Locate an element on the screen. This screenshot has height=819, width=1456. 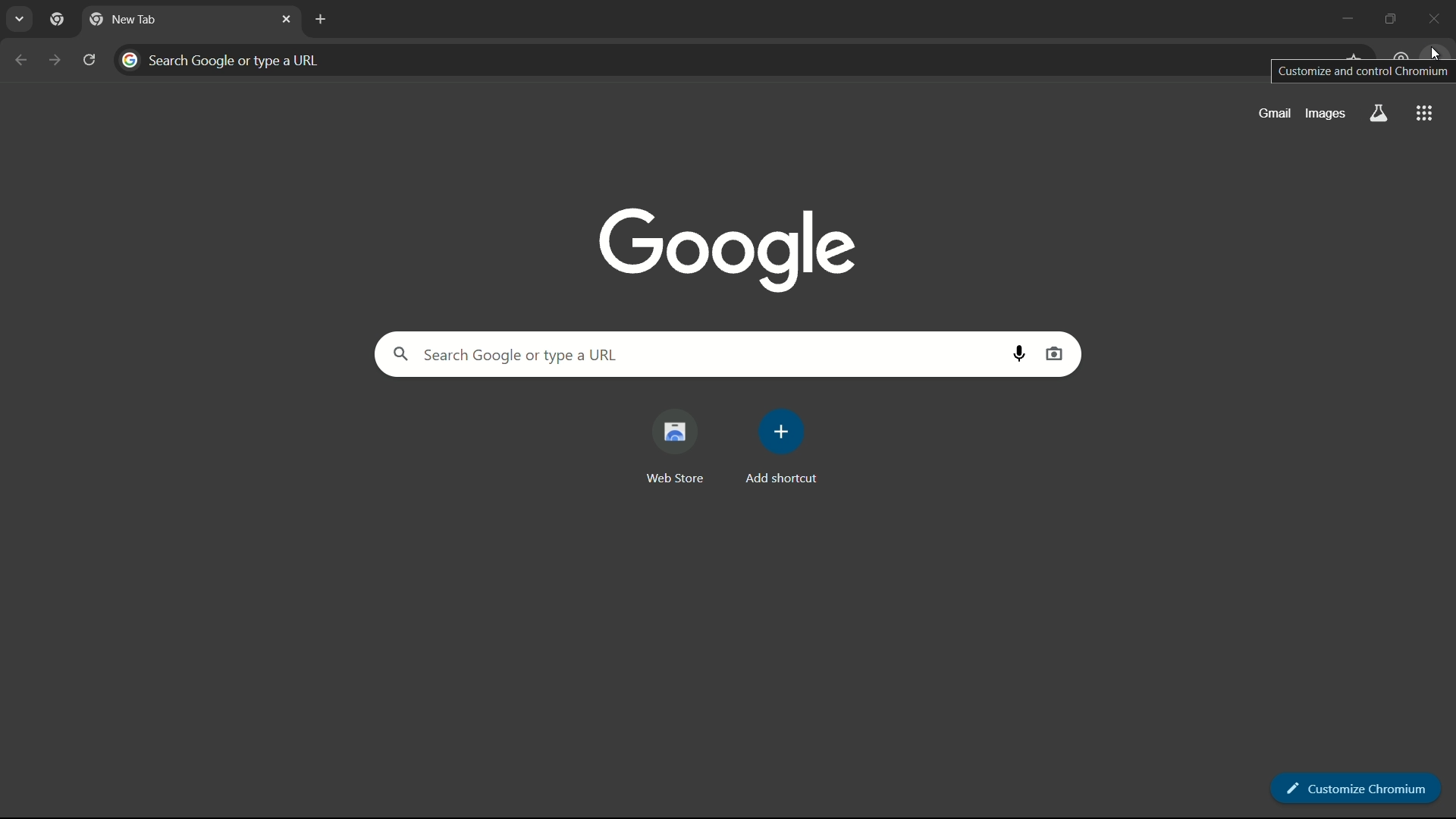
minimize is located at coordinates (1348, 17).